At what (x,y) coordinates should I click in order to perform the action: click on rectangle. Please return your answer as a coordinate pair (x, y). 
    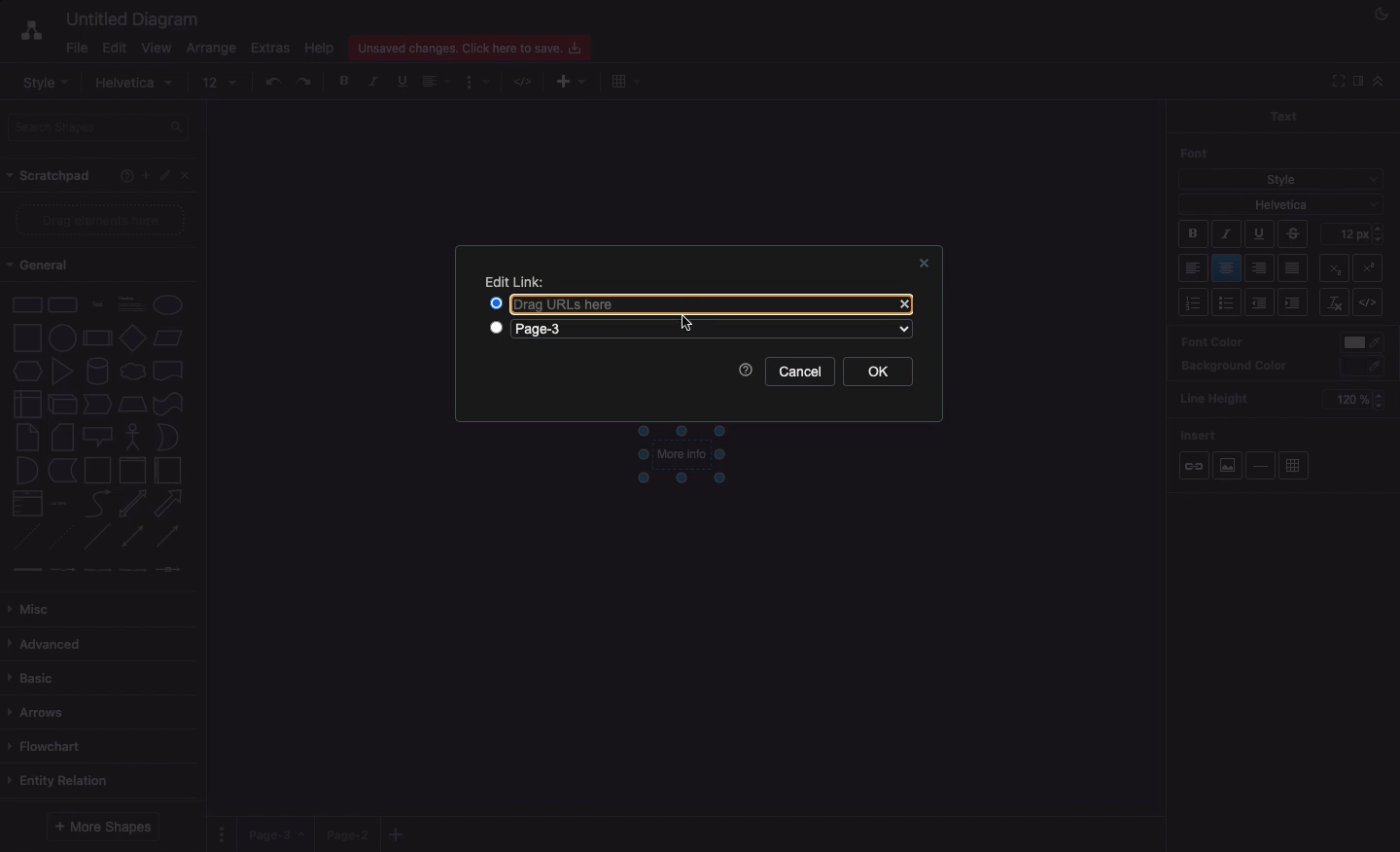
    Looking at the image, I should click on (28, 304).